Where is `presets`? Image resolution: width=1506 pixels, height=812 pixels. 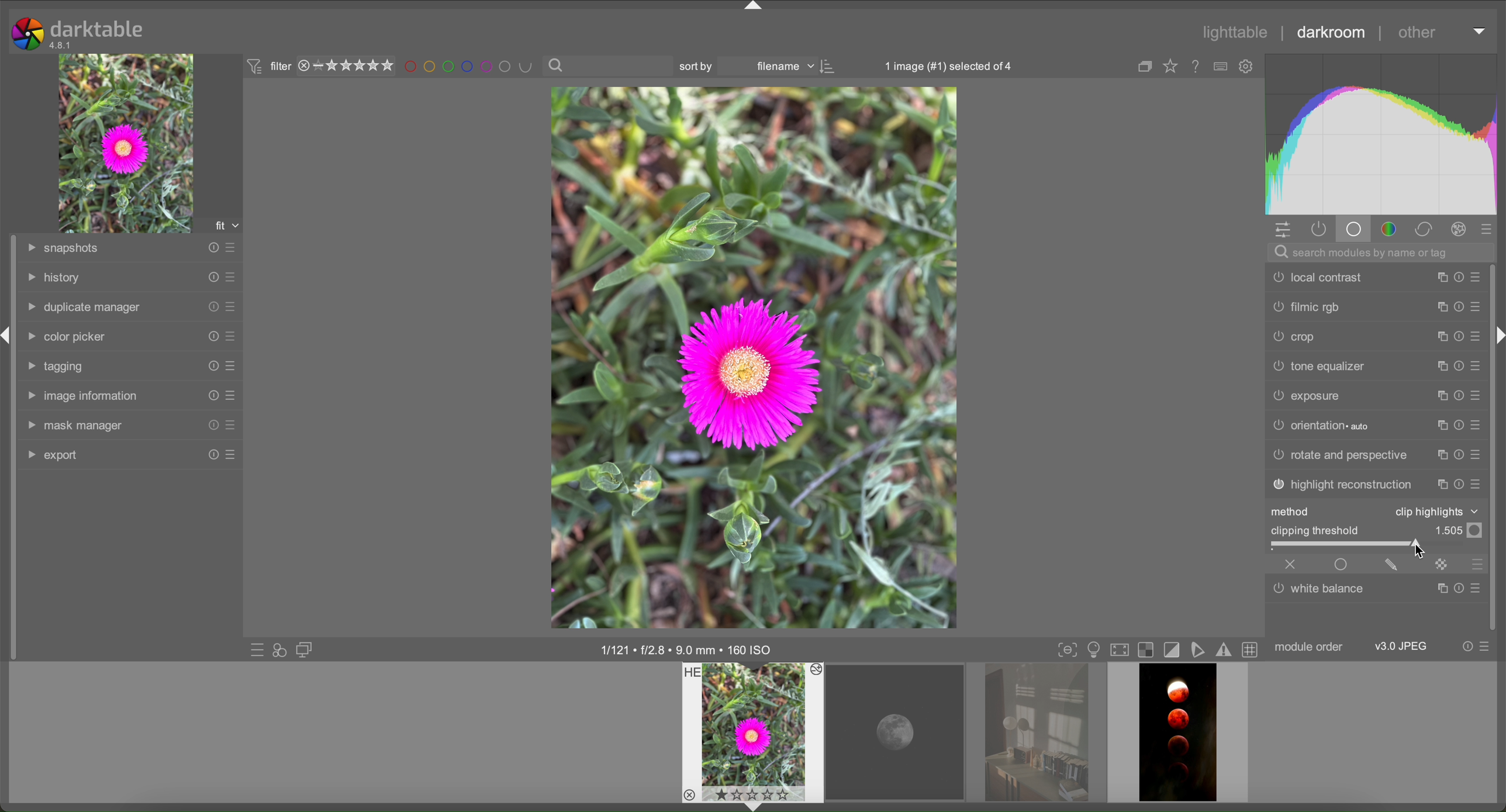
presets is located at coordinates (1477, 366).